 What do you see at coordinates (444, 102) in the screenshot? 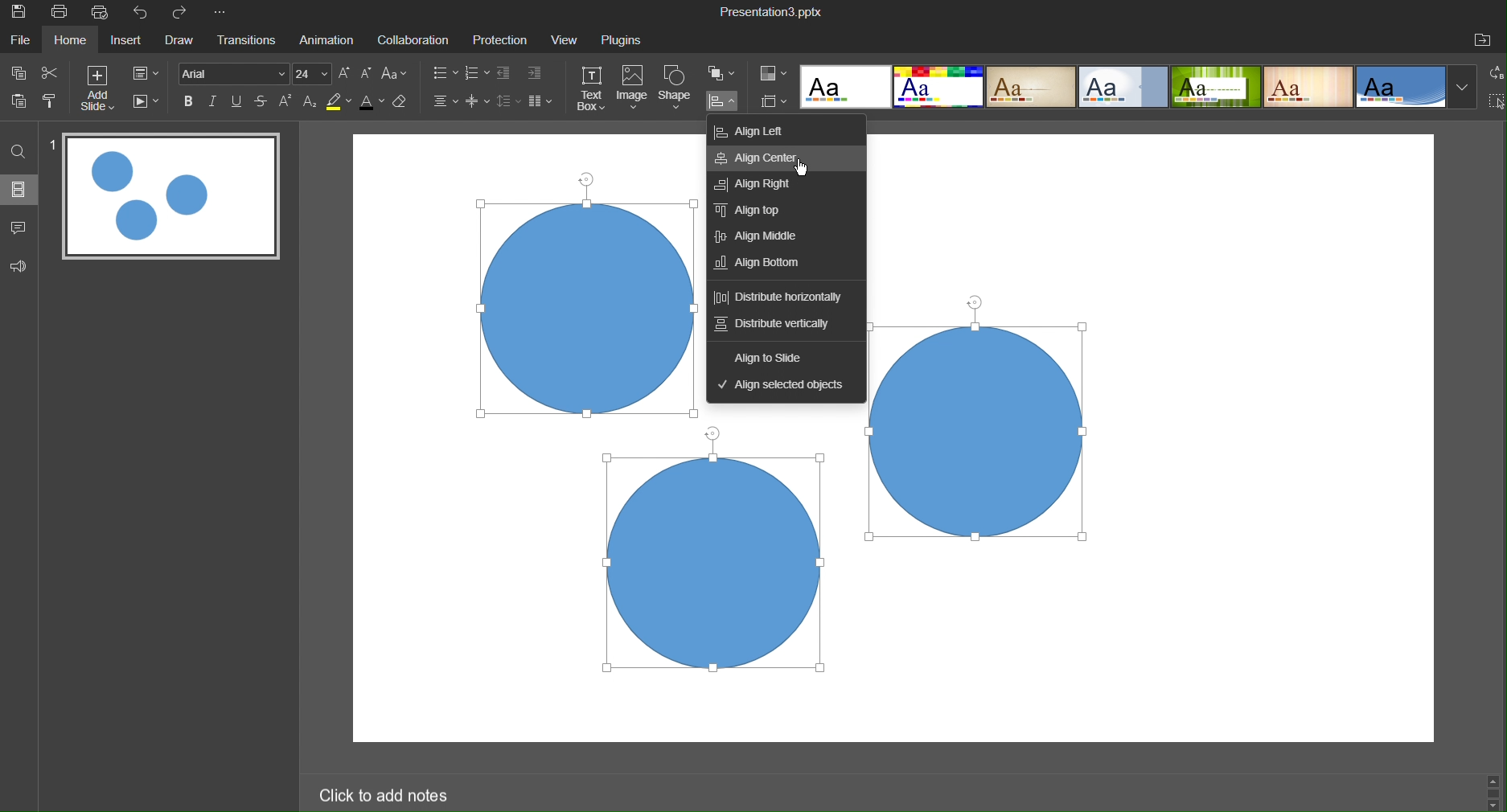
I see `Alignment` at bounding box center [444, 102].